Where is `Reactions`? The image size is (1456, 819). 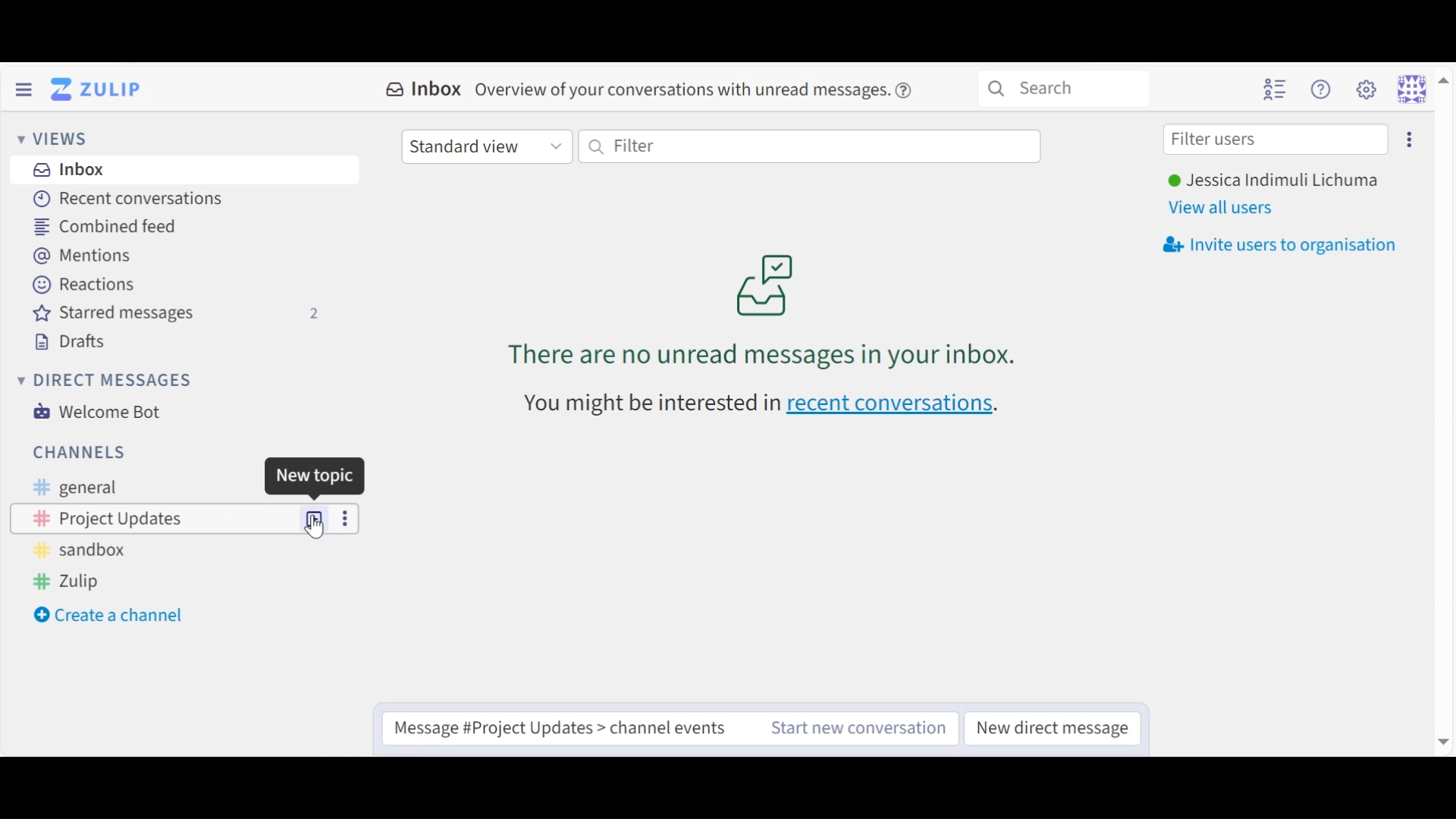
Reactions is located at coordinates (83, 283).